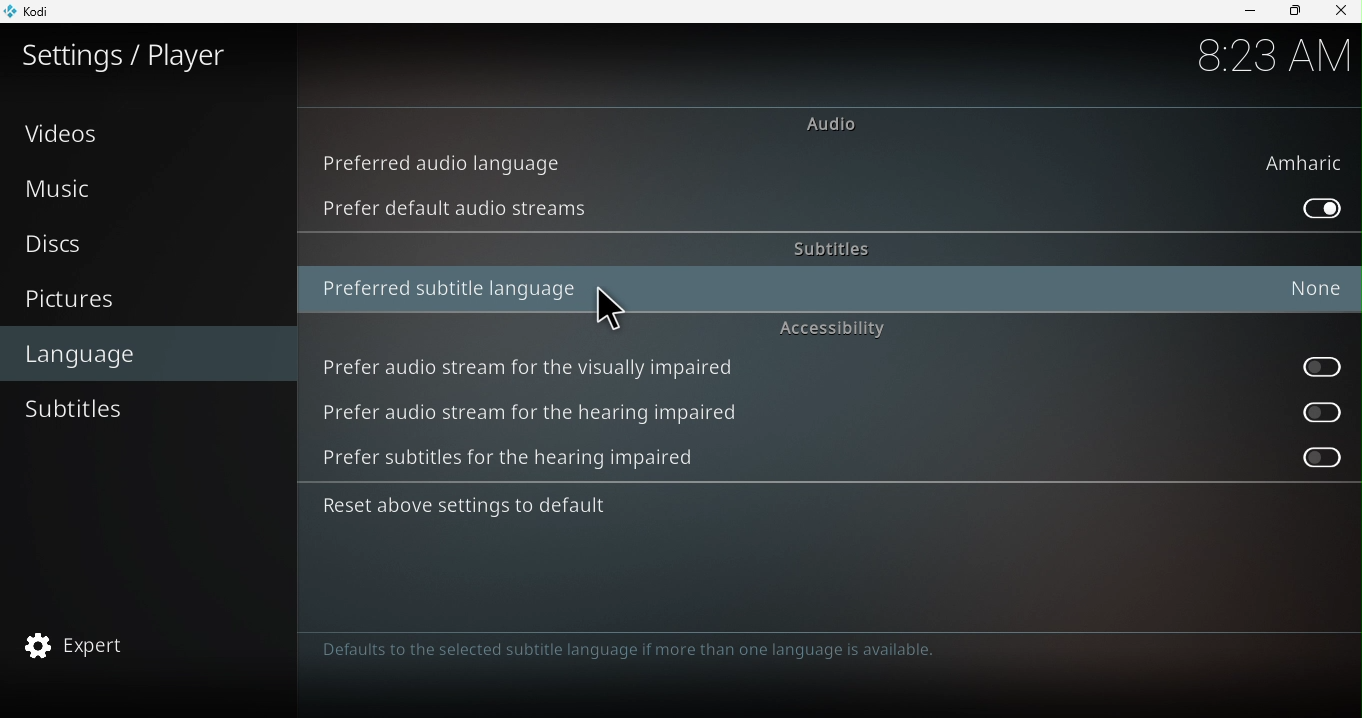 The image size is (1362, 718). I want to click on Prefer subtitles for the hearing impaired, so click(1304, 458).